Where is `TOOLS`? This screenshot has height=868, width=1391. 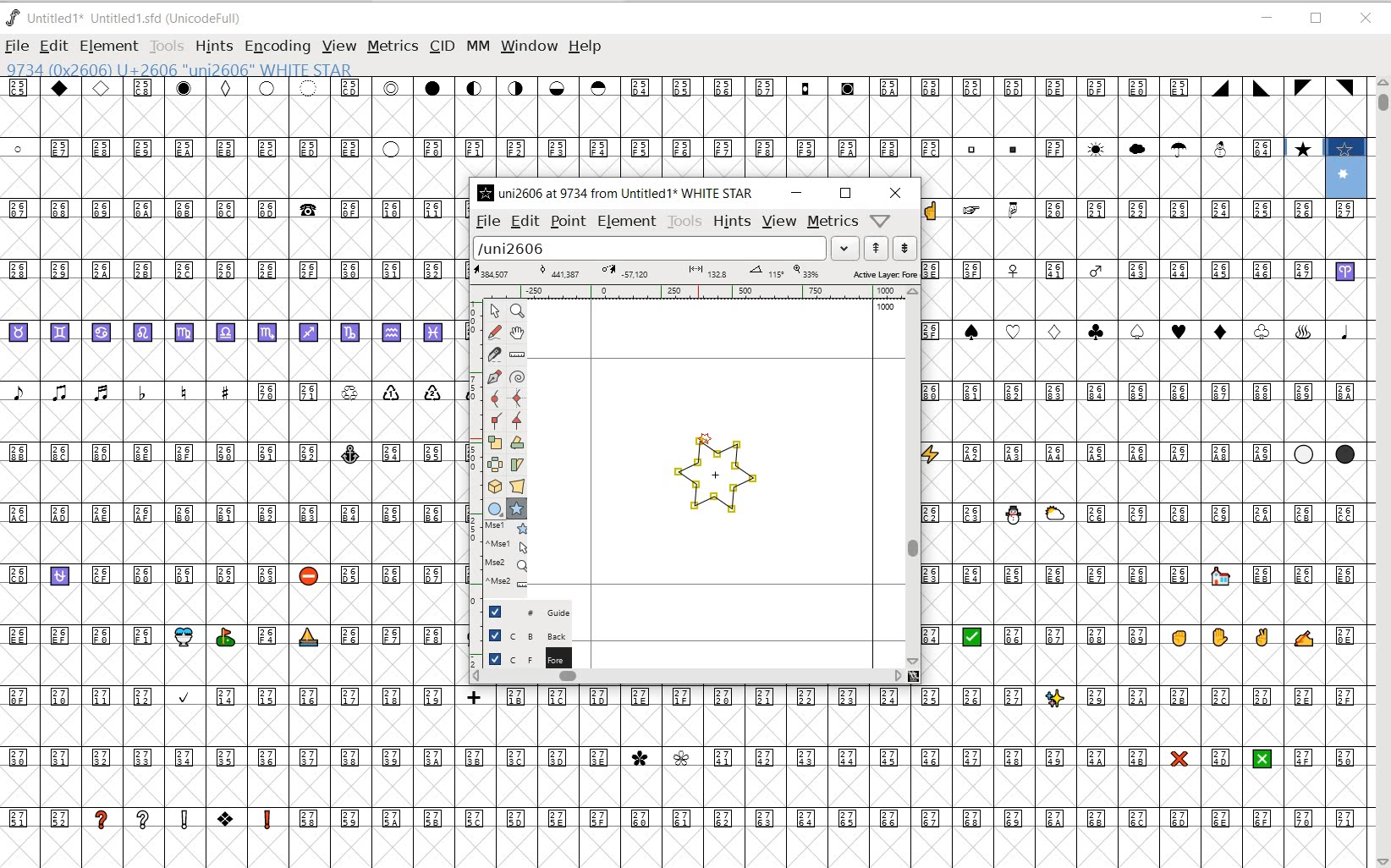 TOOLS is located at coordinates (168, 47).